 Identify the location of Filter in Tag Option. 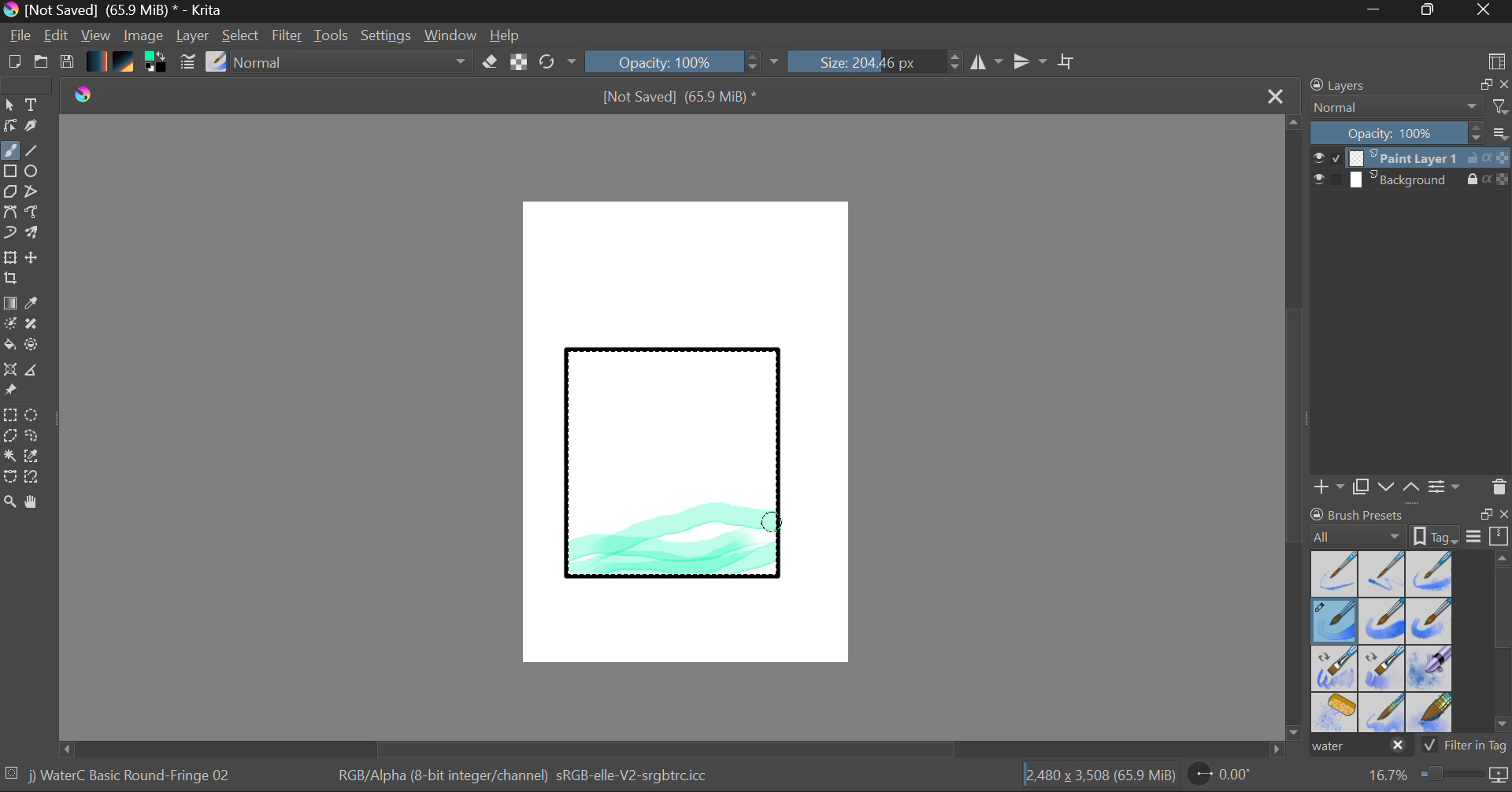
(1466, 747).